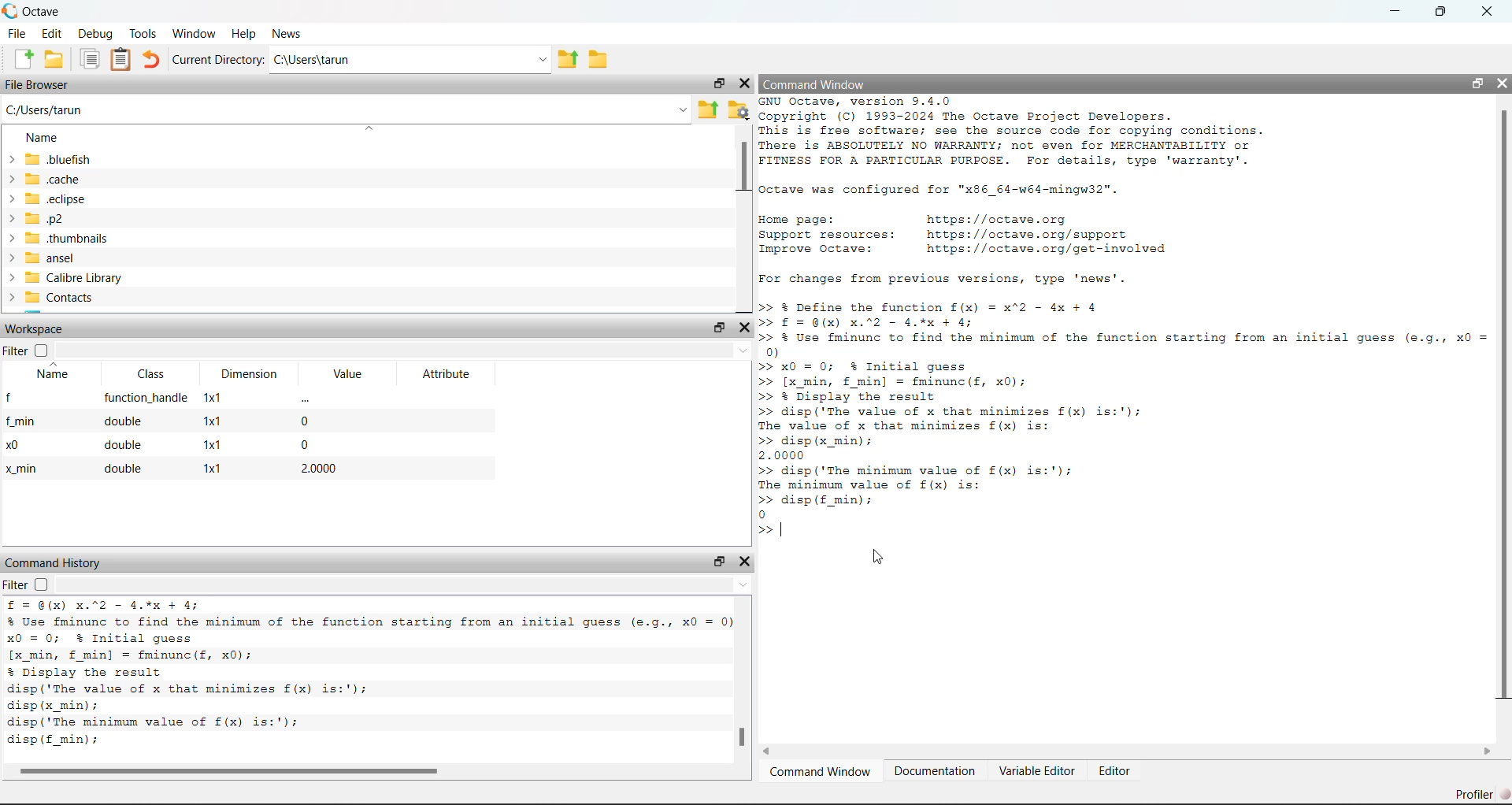  Describe the element at coordinates (51, 35) in the screenshot. I see `Edit` at that location.